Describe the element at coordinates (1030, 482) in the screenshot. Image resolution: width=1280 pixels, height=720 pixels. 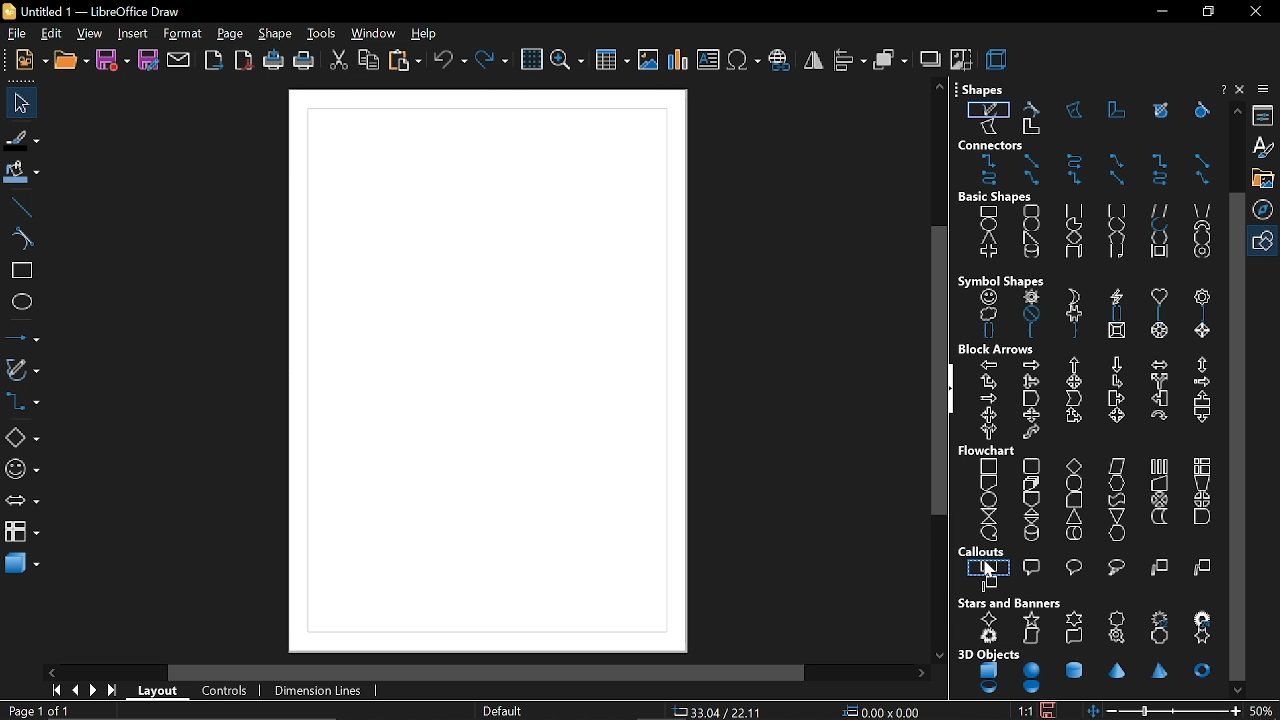
I see `multidocument` at that location.